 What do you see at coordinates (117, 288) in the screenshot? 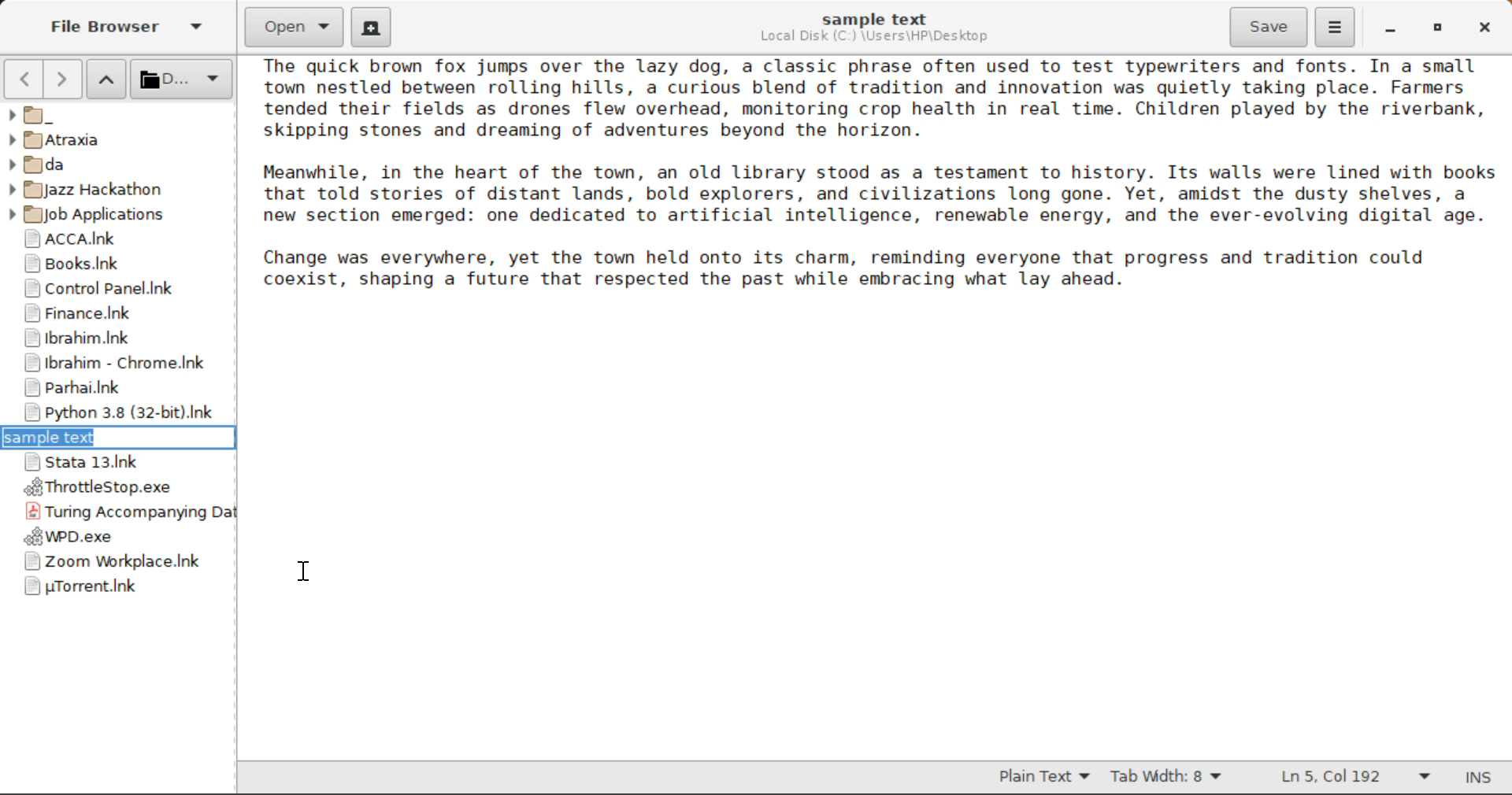
I see `Control Panel Shortcut` at bounding box center [117, 288].